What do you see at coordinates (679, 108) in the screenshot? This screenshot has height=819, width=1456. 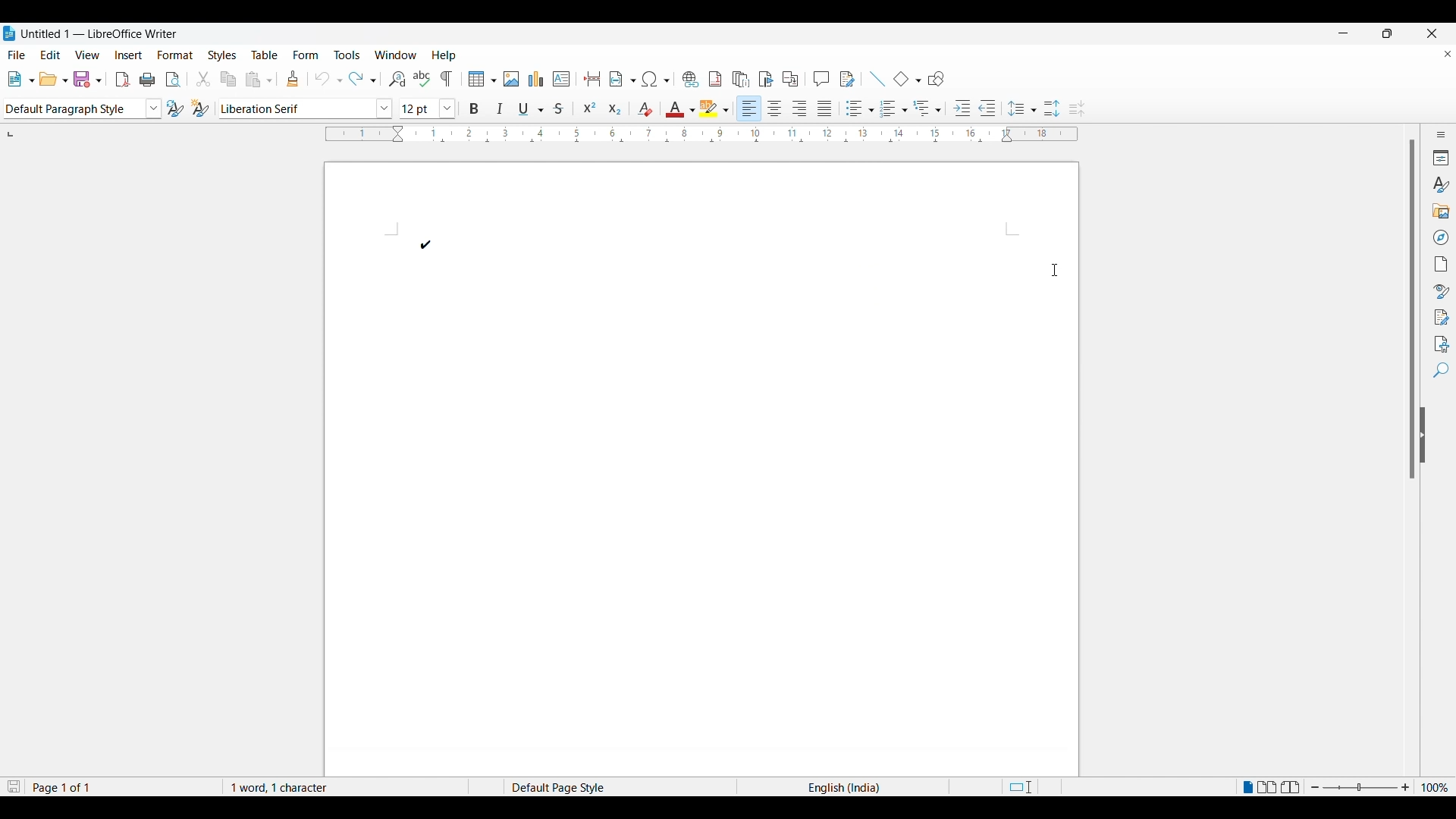 I see `color for font` at bounding box center [679, 108].